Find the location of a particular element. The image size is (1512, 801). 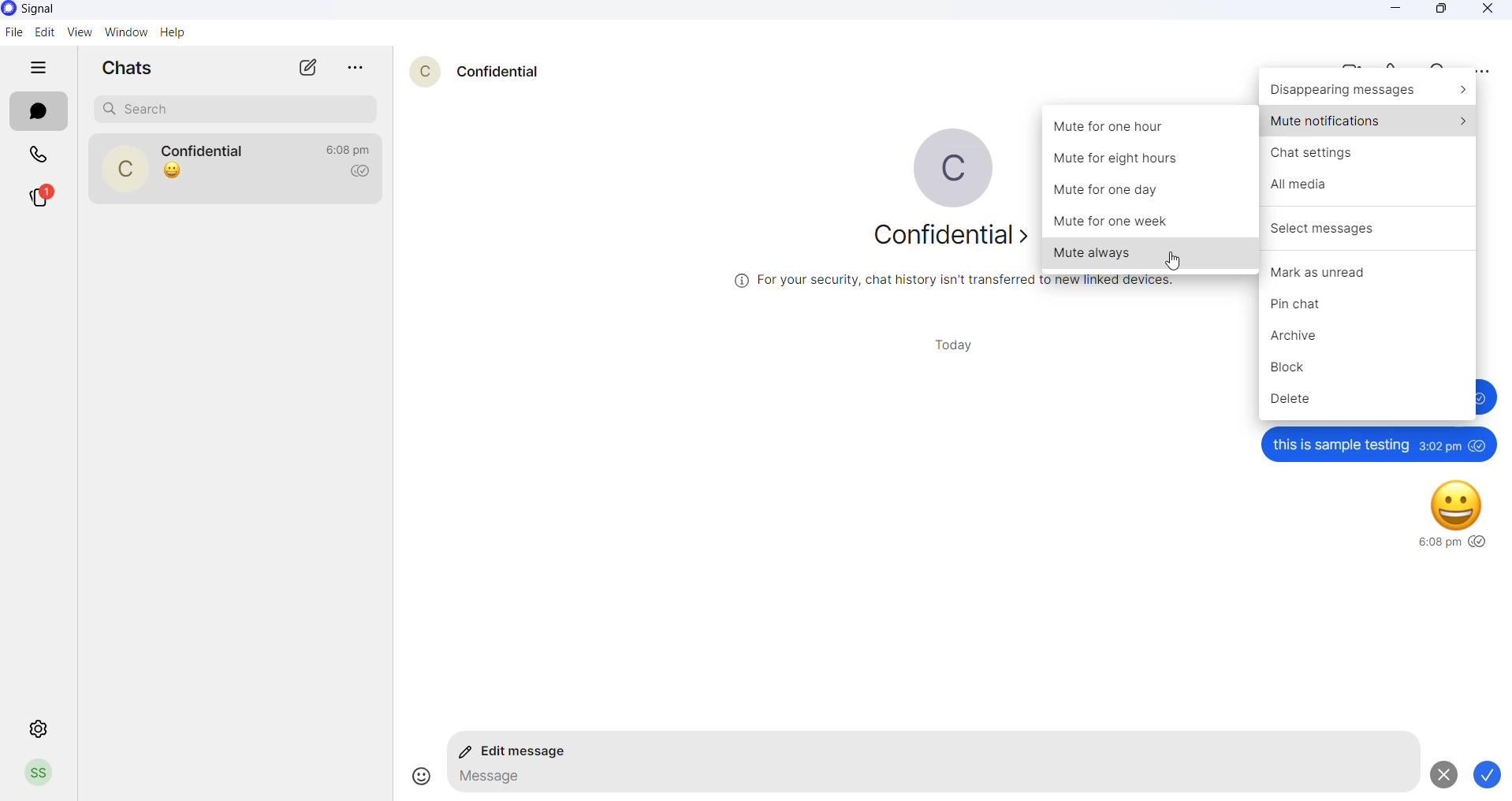

smiley emoji is located at coordinates (1458, 502).